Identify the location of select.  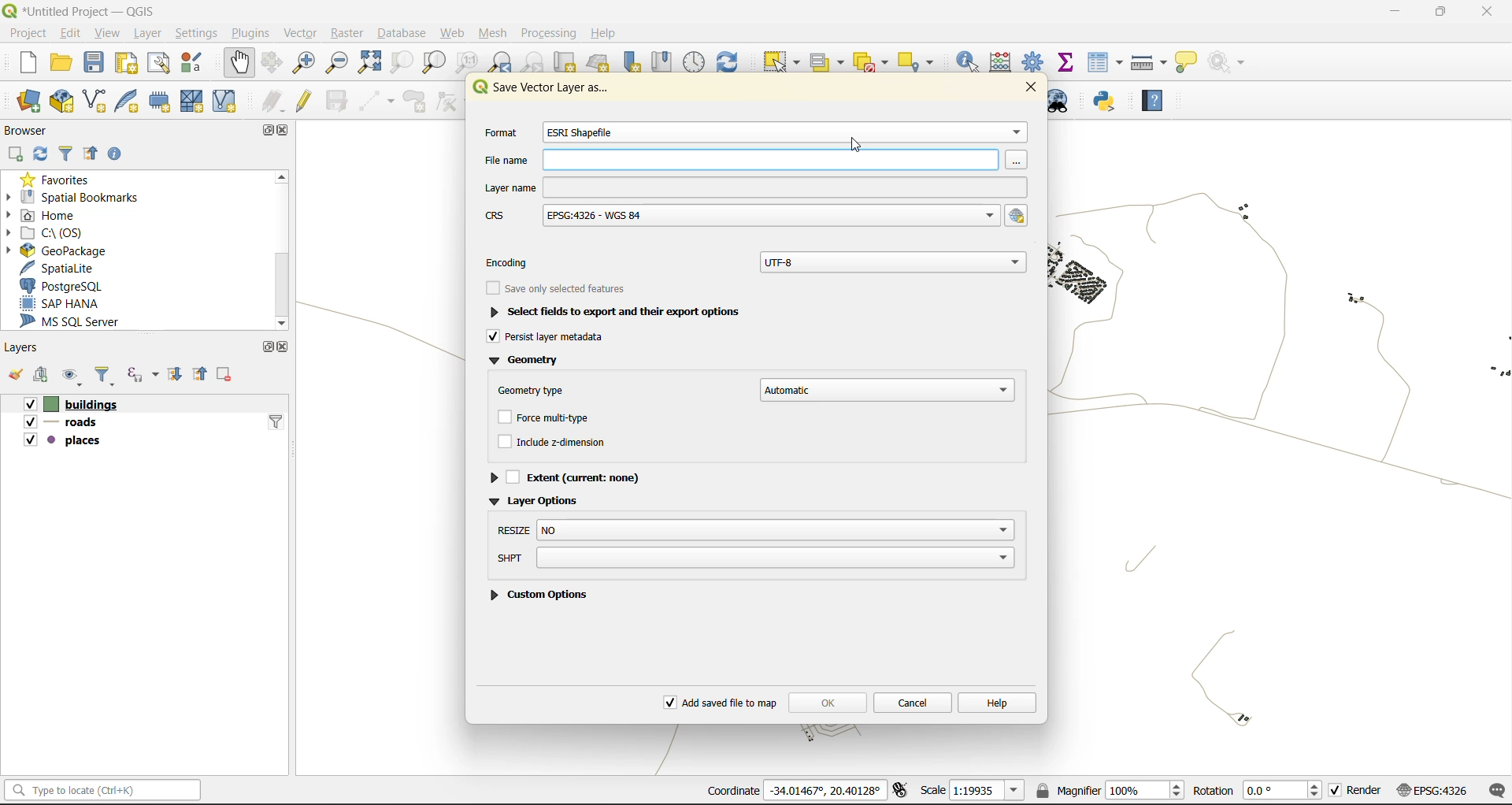
(779, 62).